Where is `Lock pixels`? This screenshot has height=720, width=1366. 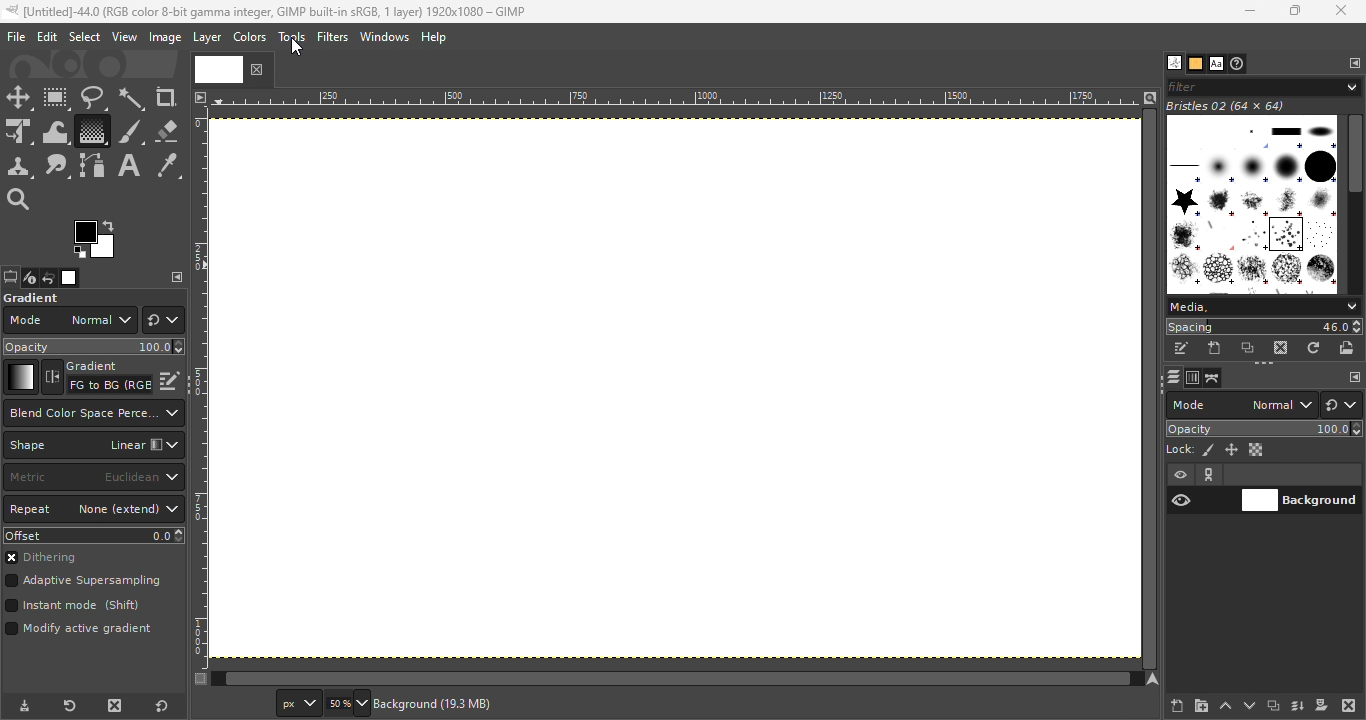
Lock pixels is located at coordinates (1190, 448).